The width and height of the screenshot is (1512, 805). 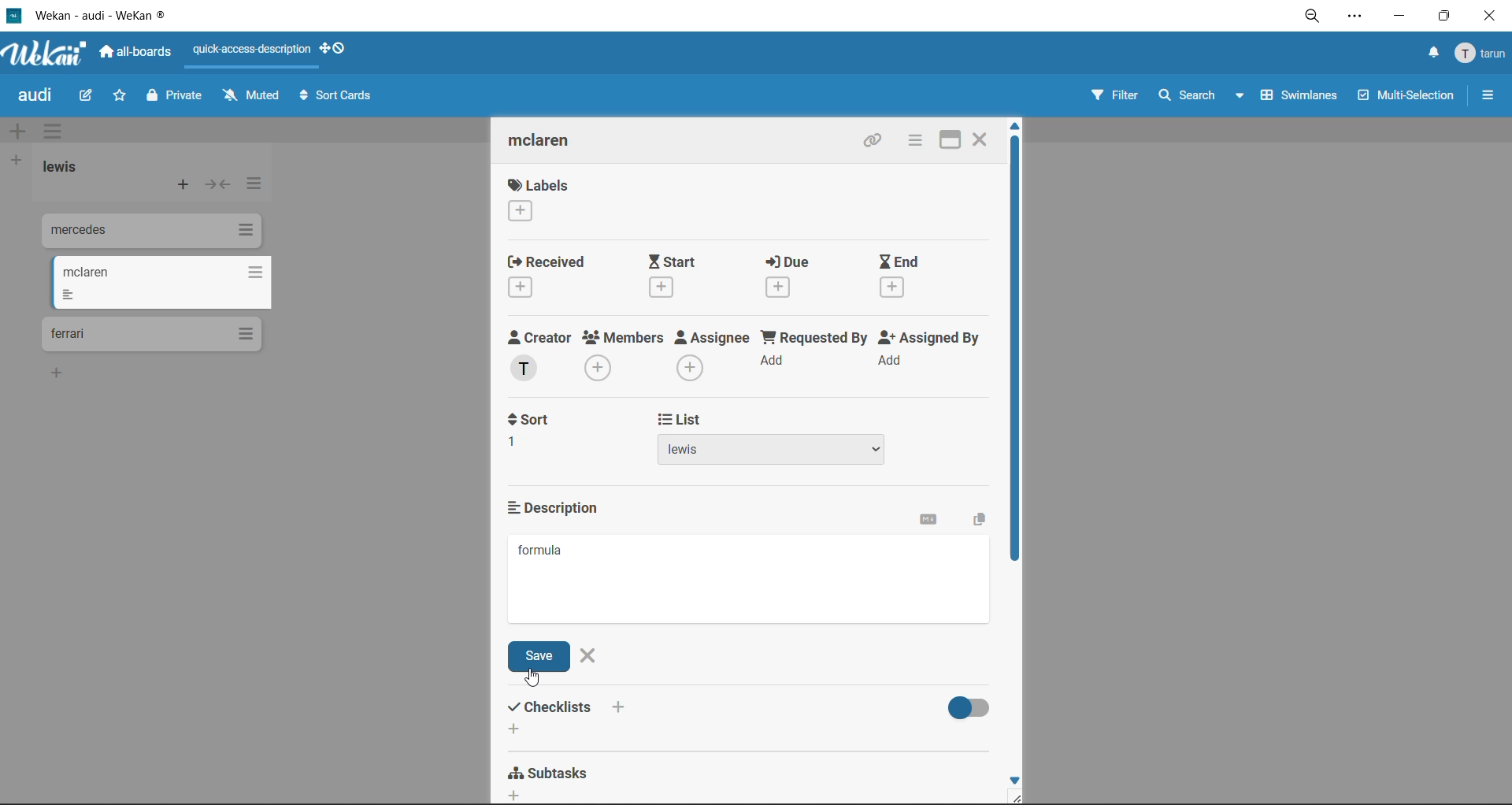 I want to click on cards, so click(x=160, y=283).